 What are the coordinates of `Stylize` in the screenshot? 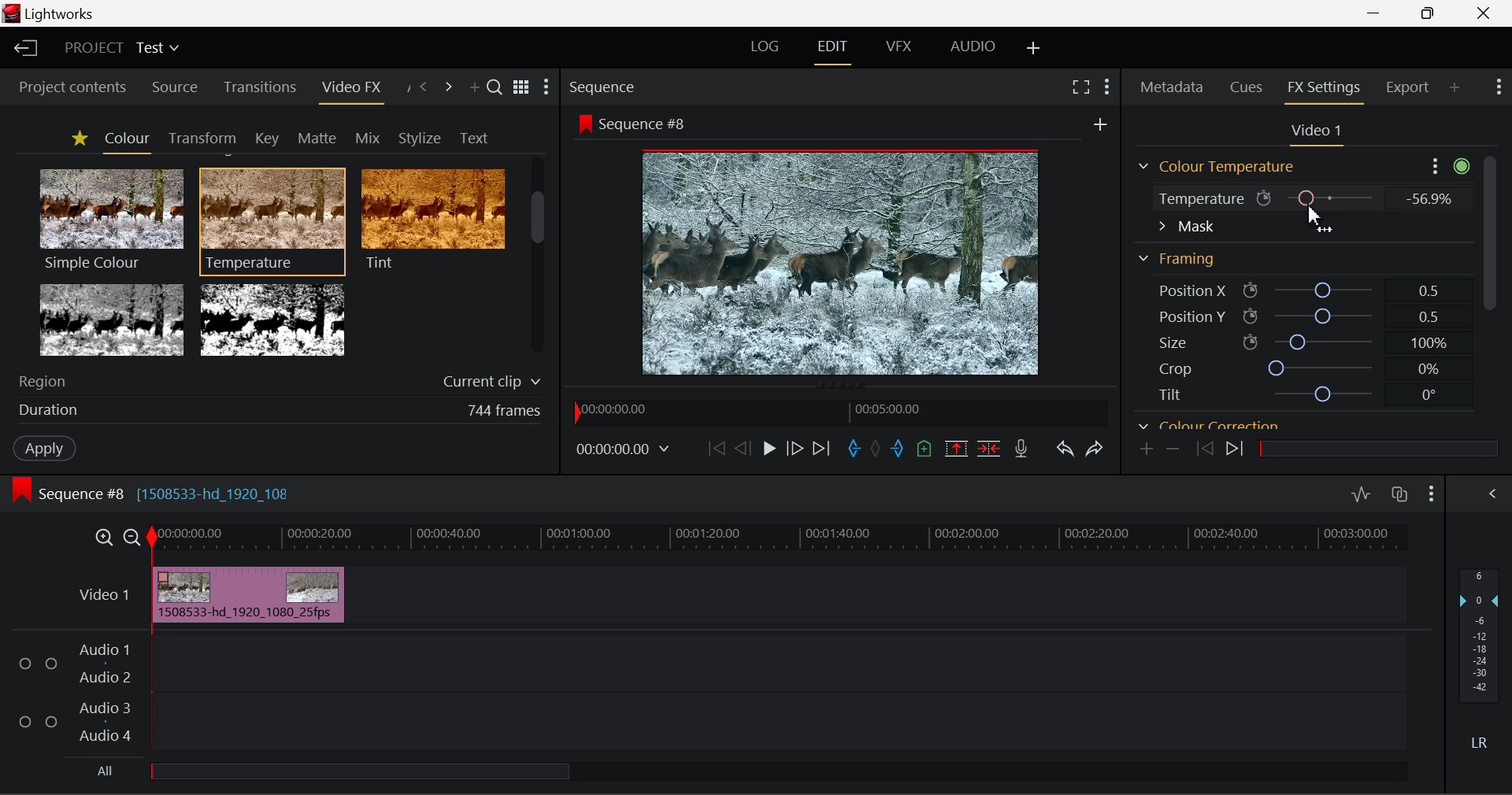 It's located at (420, 136).